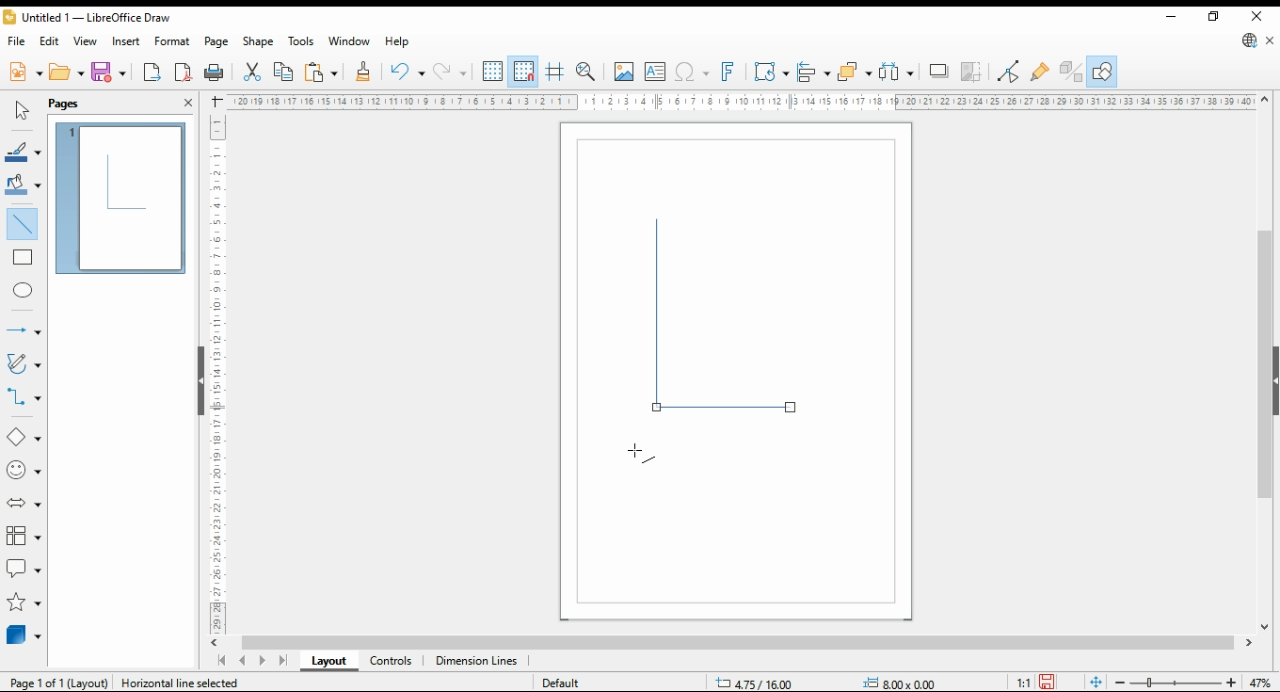 Image resolution: width=1280 pixels, height=692 pixels. I want to click on undo, so click(406, 72).